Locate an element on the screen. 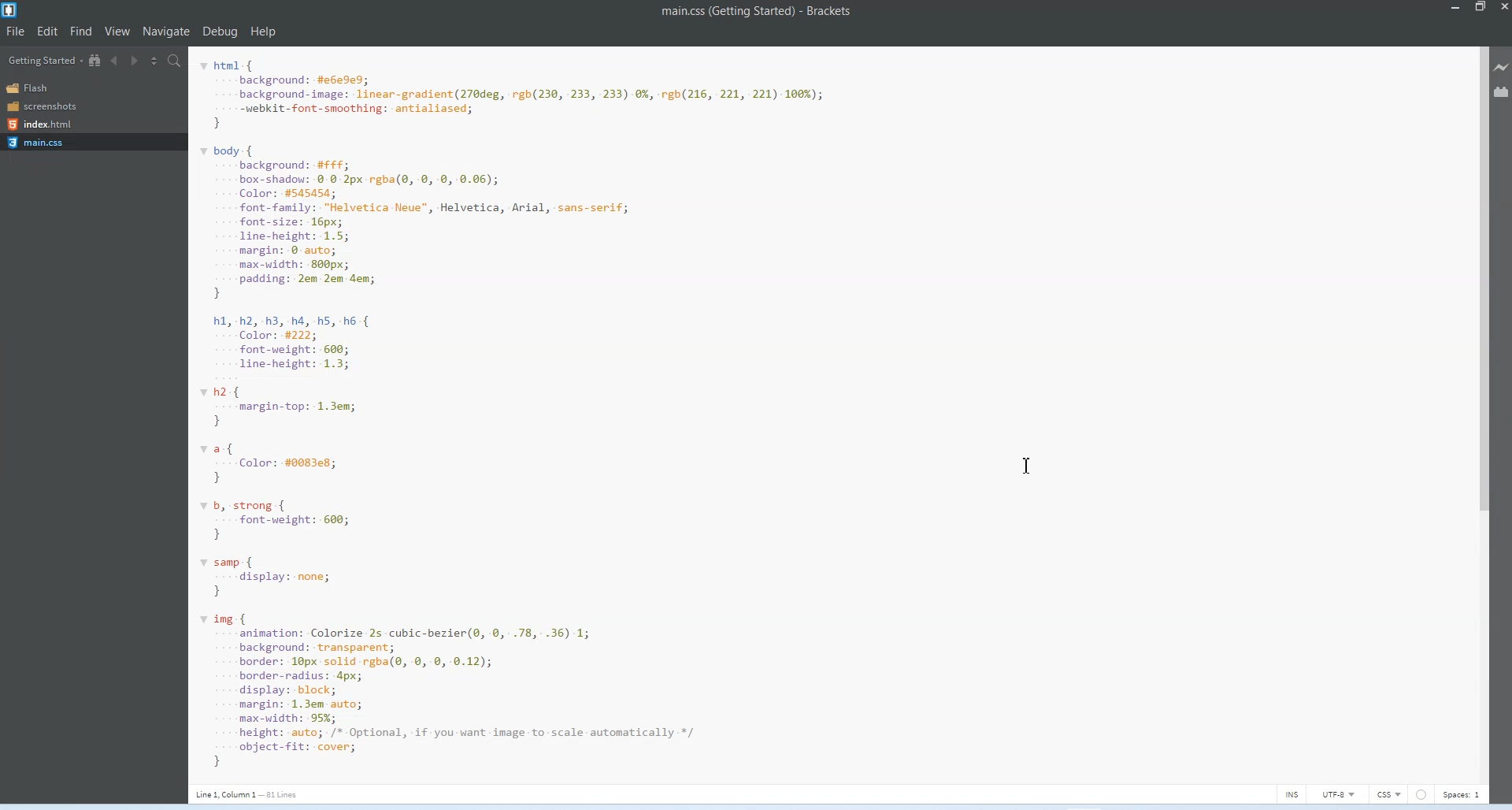 This screenshot has height=810, width=1512. INS is located at coordinates (1290, 794).